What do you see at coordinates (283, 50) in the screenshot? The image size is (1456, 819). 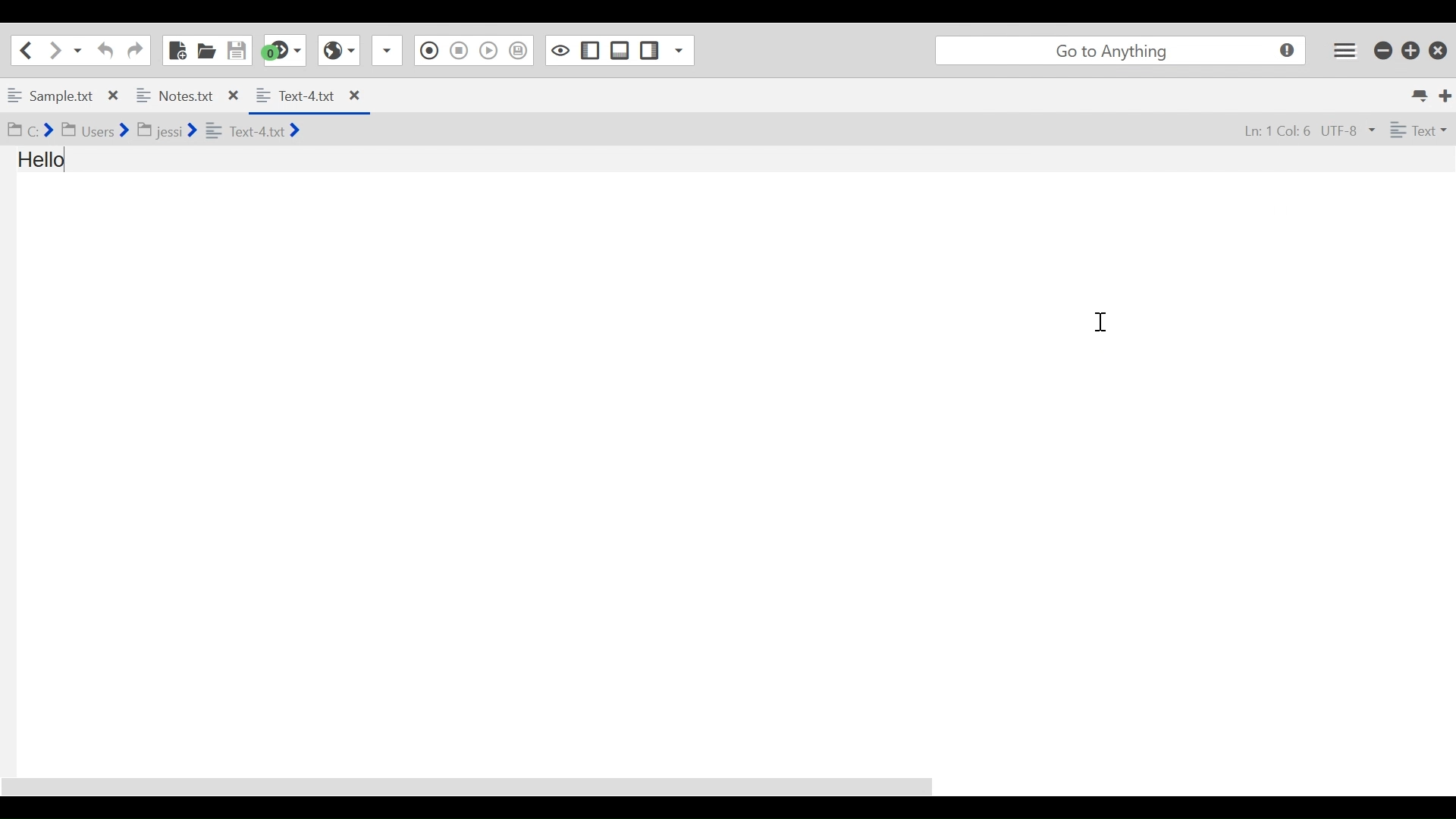 I see `Jump to the next syntax checking result` at bounding box center [283, 50].